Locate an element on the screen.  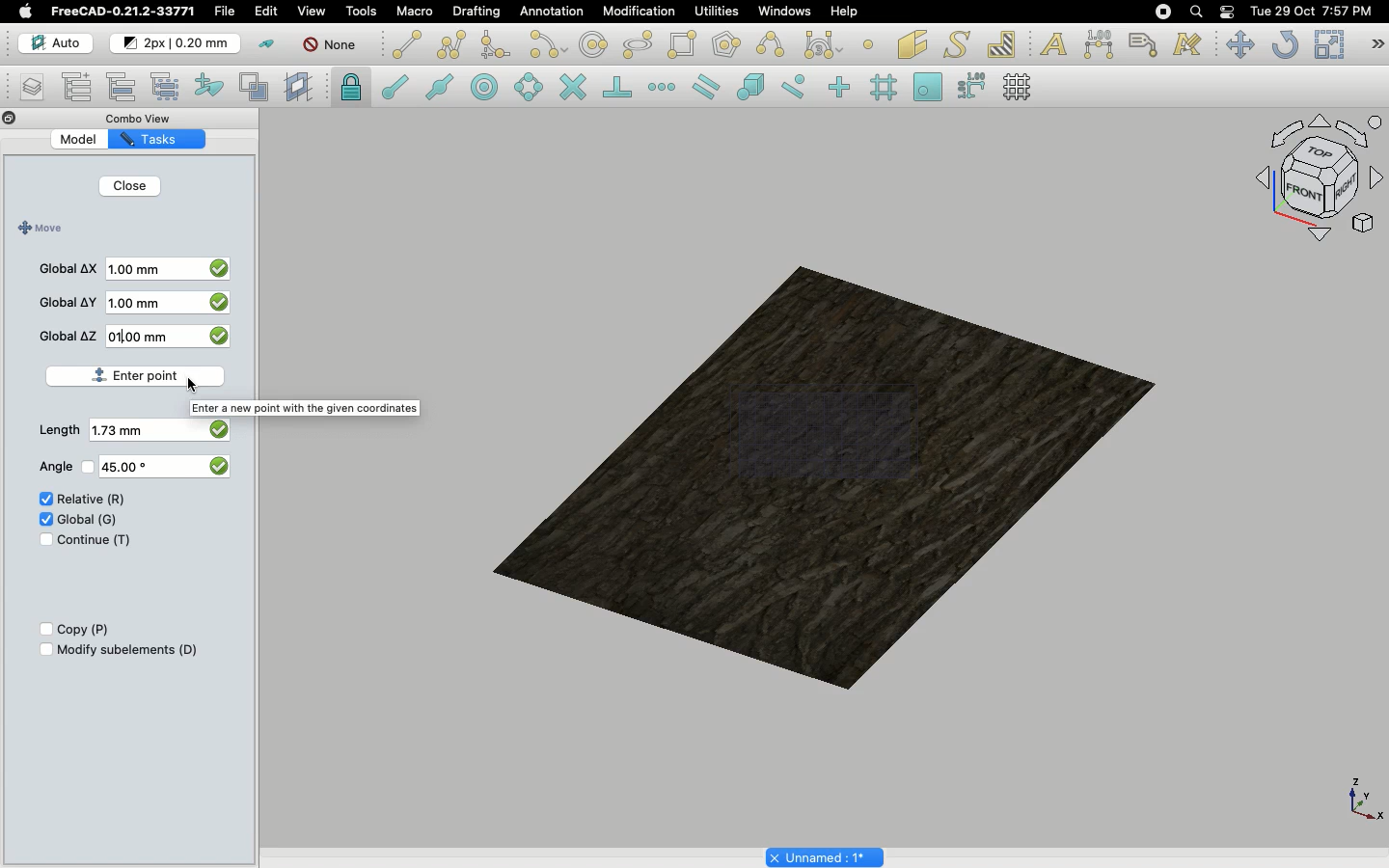
Change default for new objects is located at coordinates (177, 44).